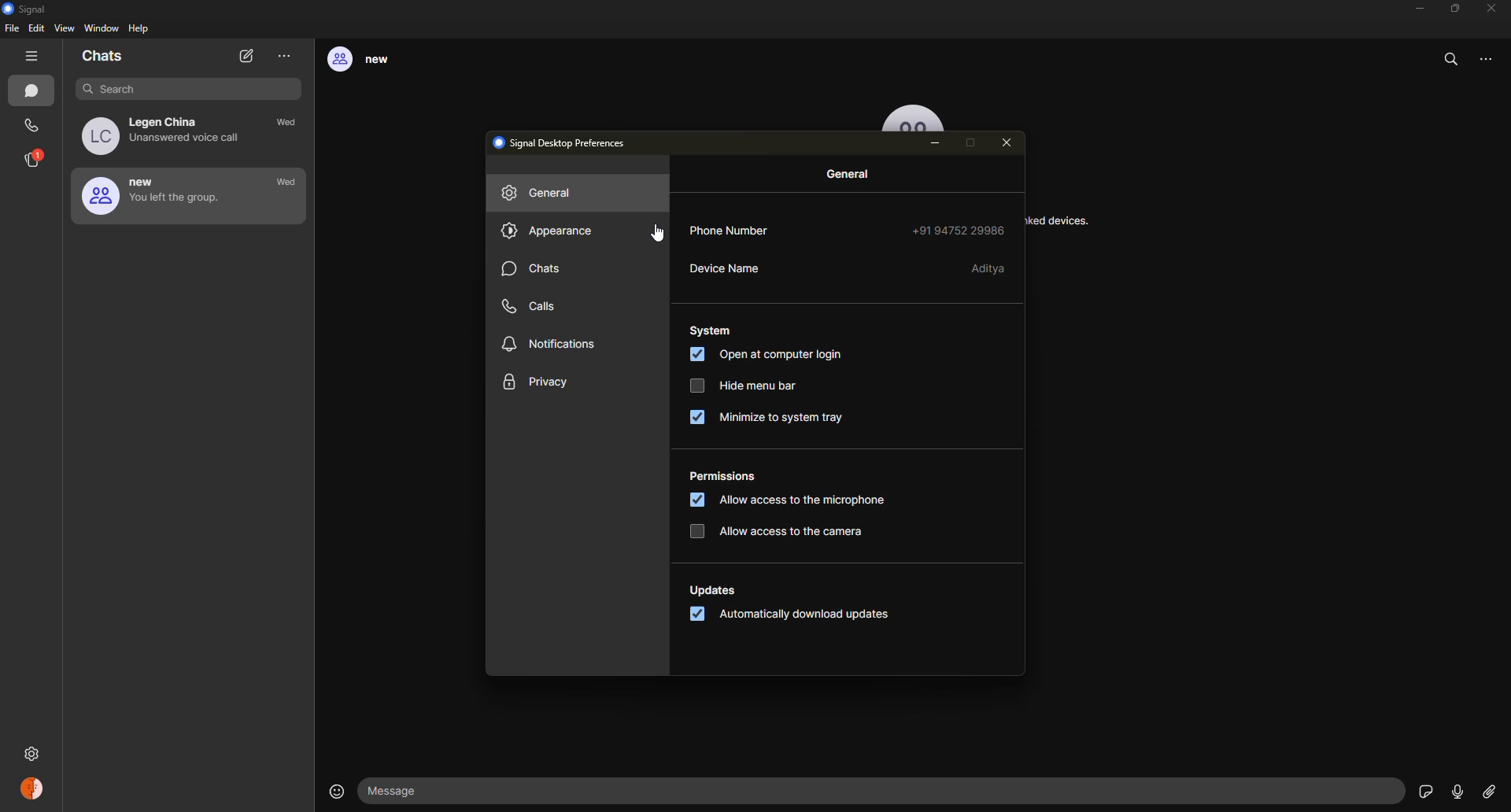  Describe the element at coordinates (852, 175) in the screenshot. I see `general` at that location.